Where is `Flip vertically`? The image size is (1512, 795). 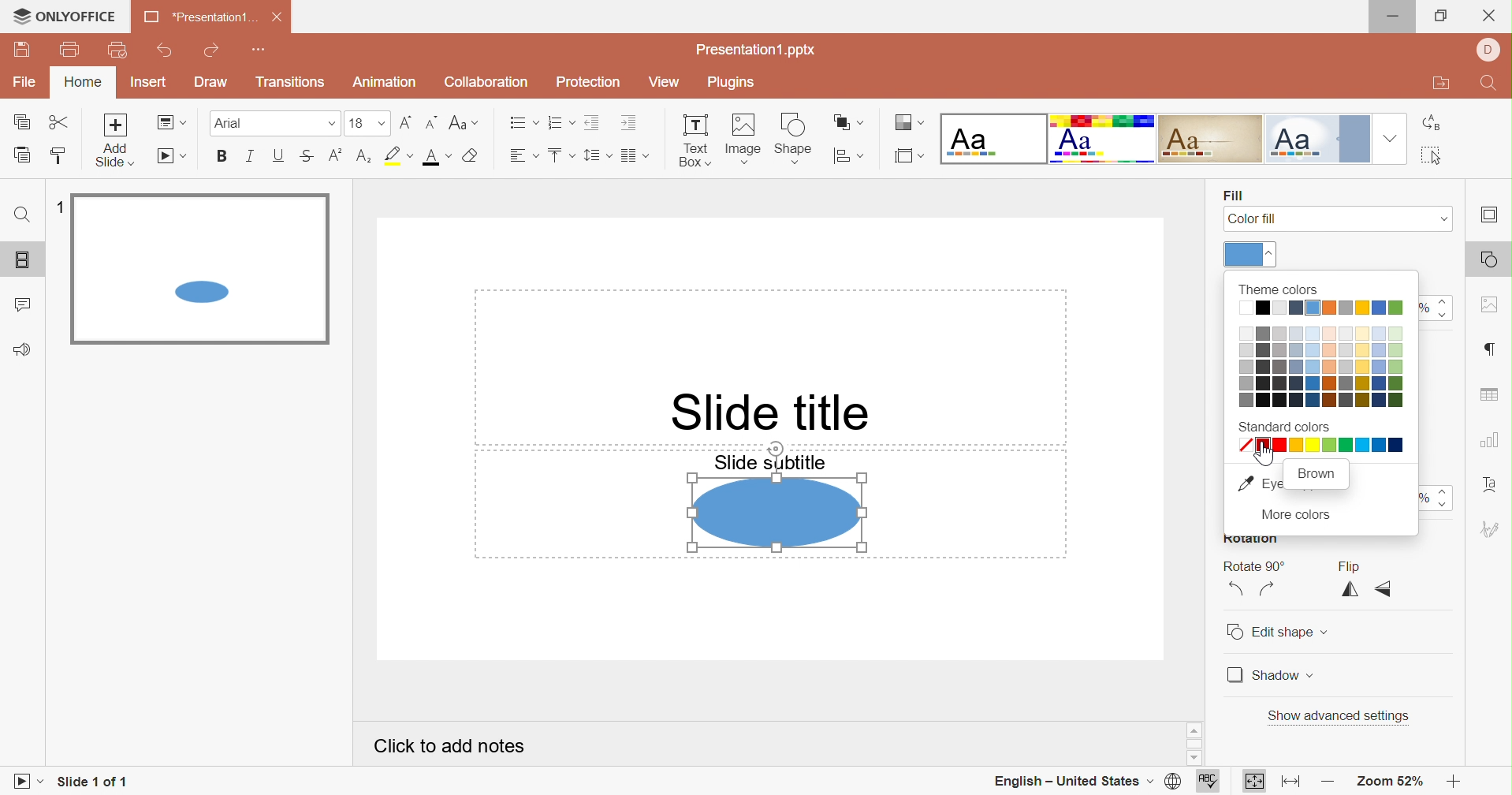
Flip vertically is located at coordinates (1386, 588).